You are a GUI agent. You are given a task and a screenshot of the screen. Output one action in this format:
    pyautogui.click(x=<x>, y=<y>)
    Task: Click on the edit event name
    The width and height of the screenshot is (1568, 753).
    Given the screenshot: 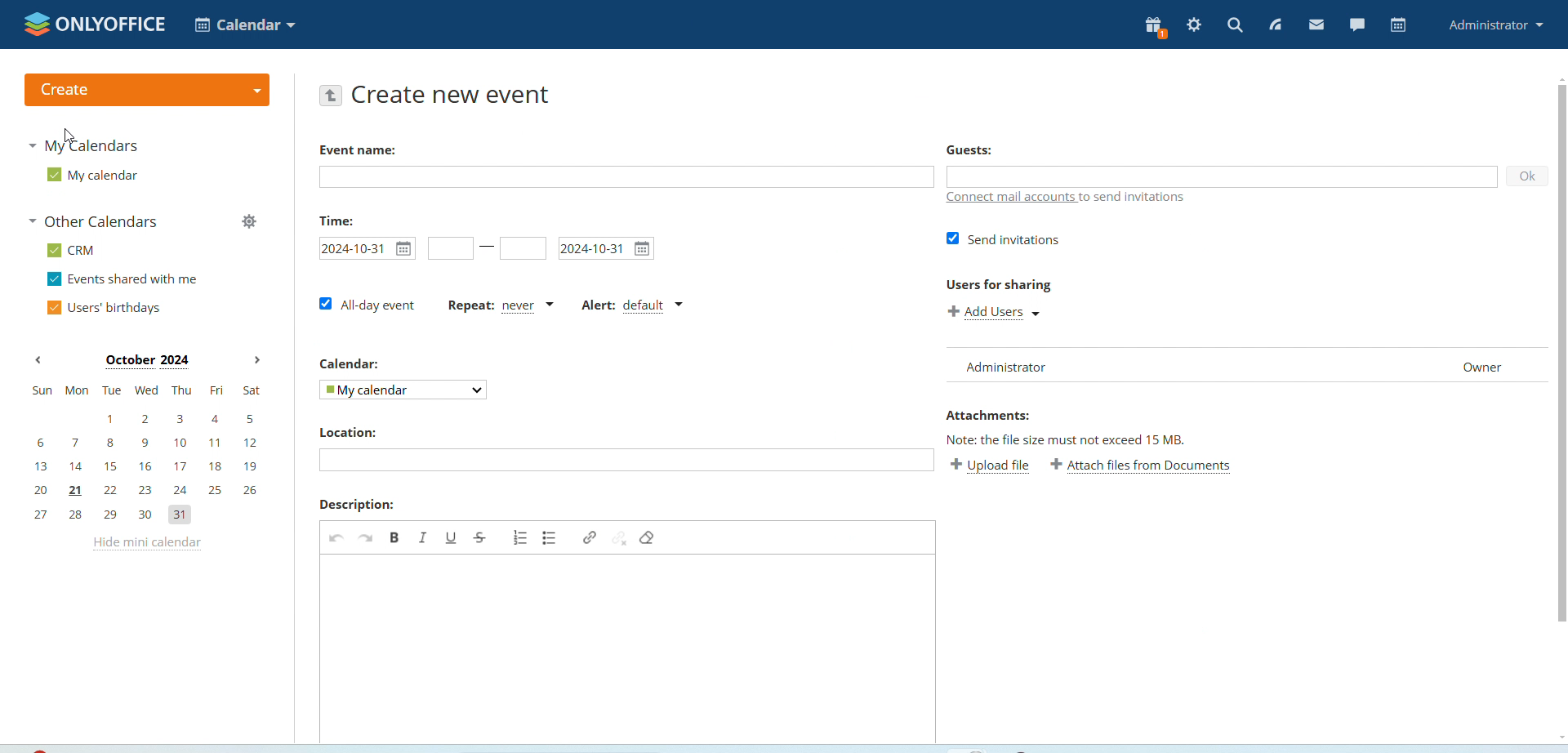 What is the action you would take?
    pyautogui.click(x=626, y=177)
    